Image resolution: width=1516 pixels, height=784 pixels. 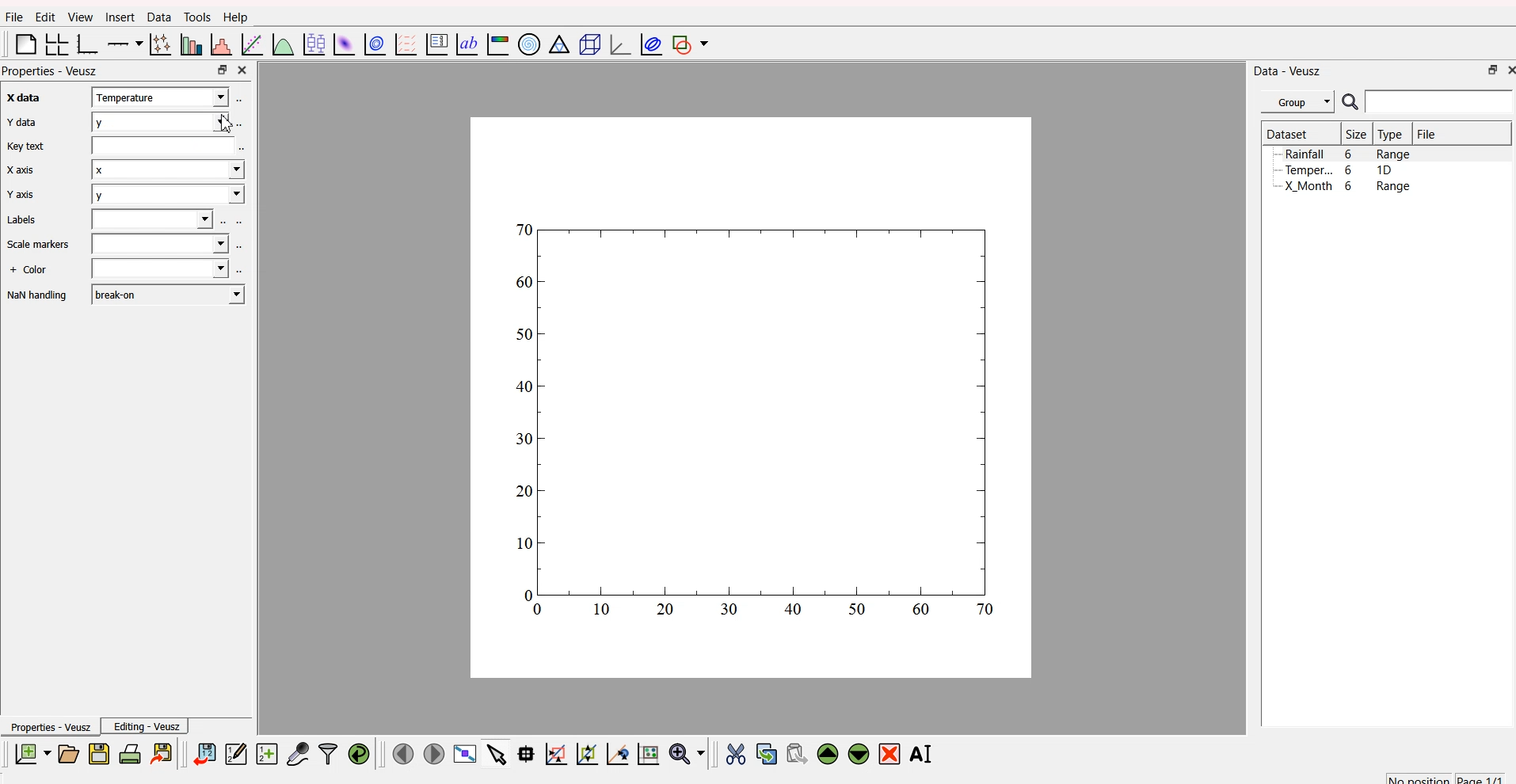 What do you see at coordinates (827, 754) in the screenshot?
I see `move up the widget` at bounding box center [827, 754].